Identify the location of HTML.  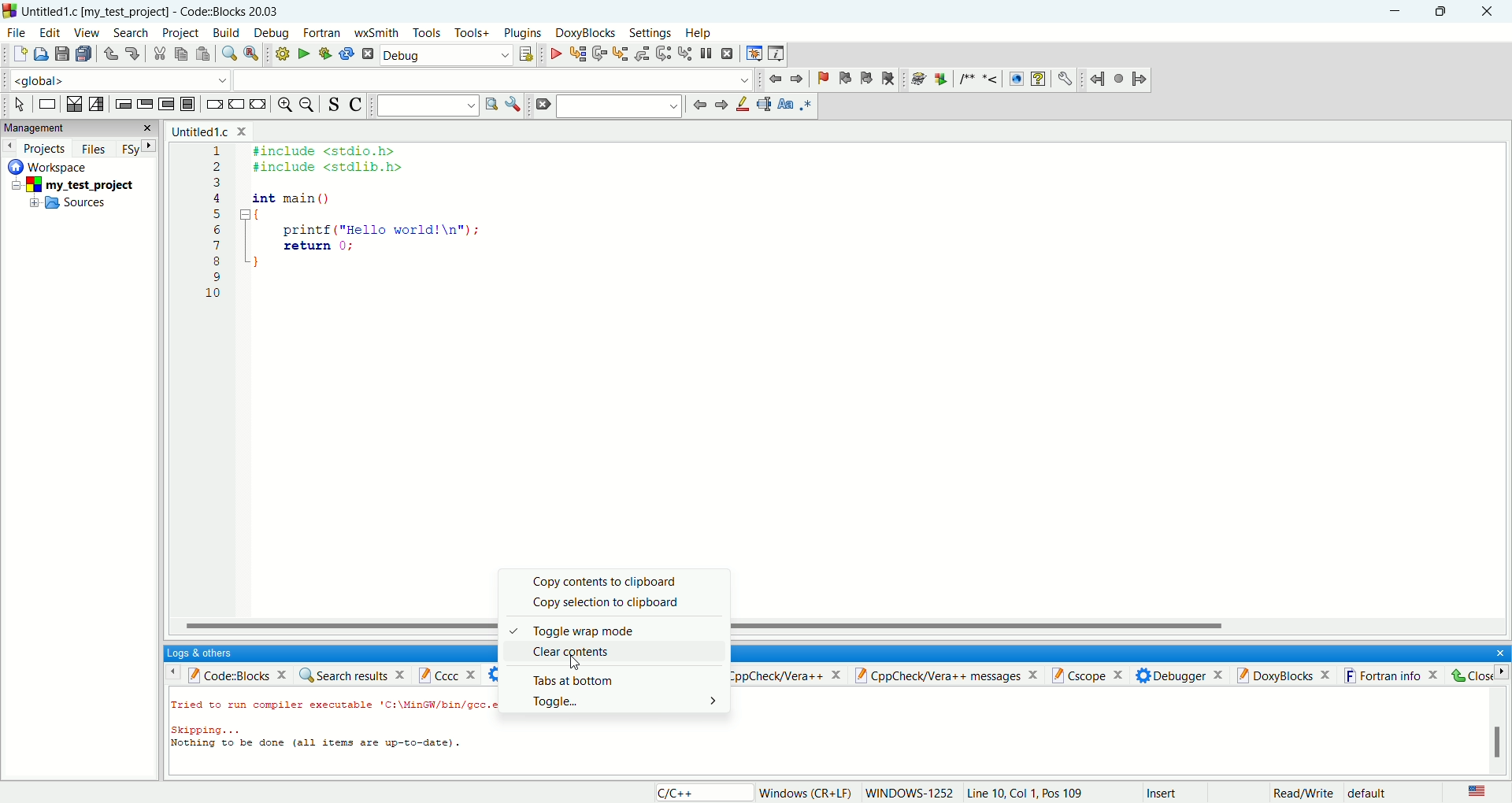
(1015, 80).